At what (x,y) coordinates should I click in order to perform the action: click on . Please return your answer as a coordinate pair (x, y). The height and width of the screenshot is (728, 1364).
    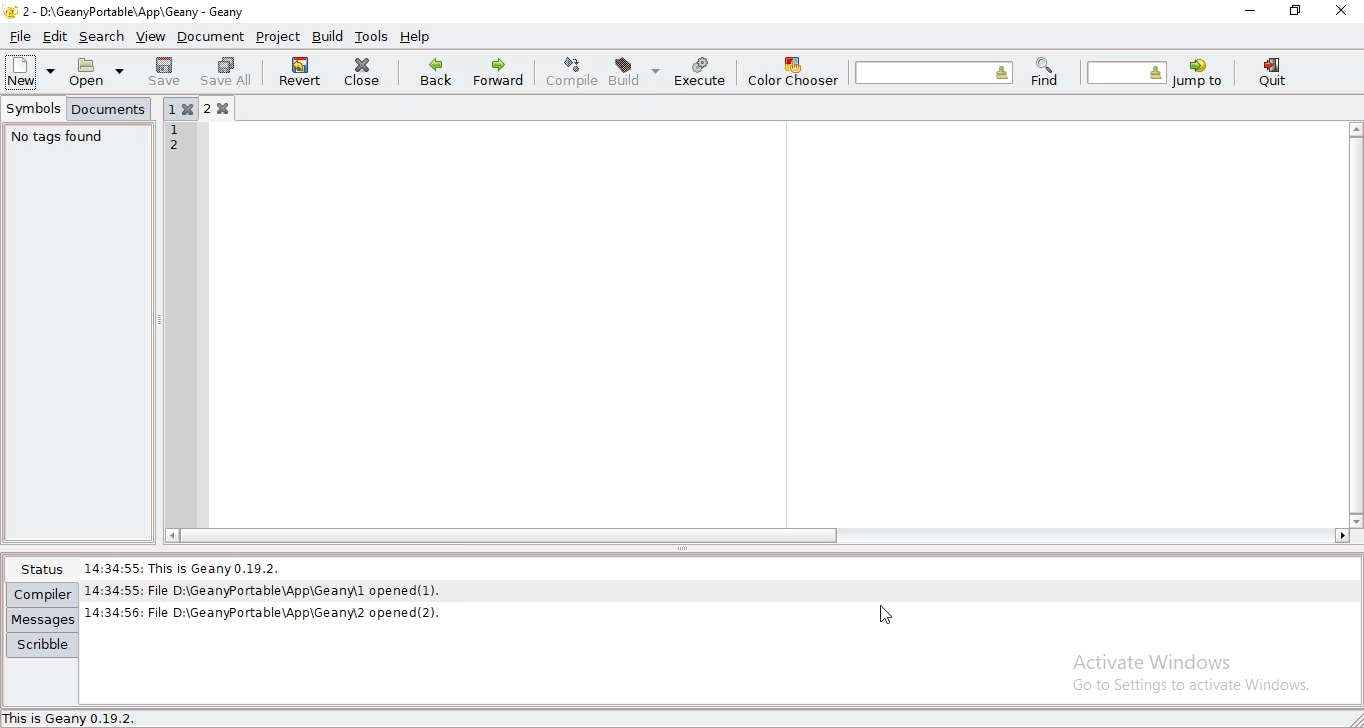
    Looking at the image, I should click on (177, 108).